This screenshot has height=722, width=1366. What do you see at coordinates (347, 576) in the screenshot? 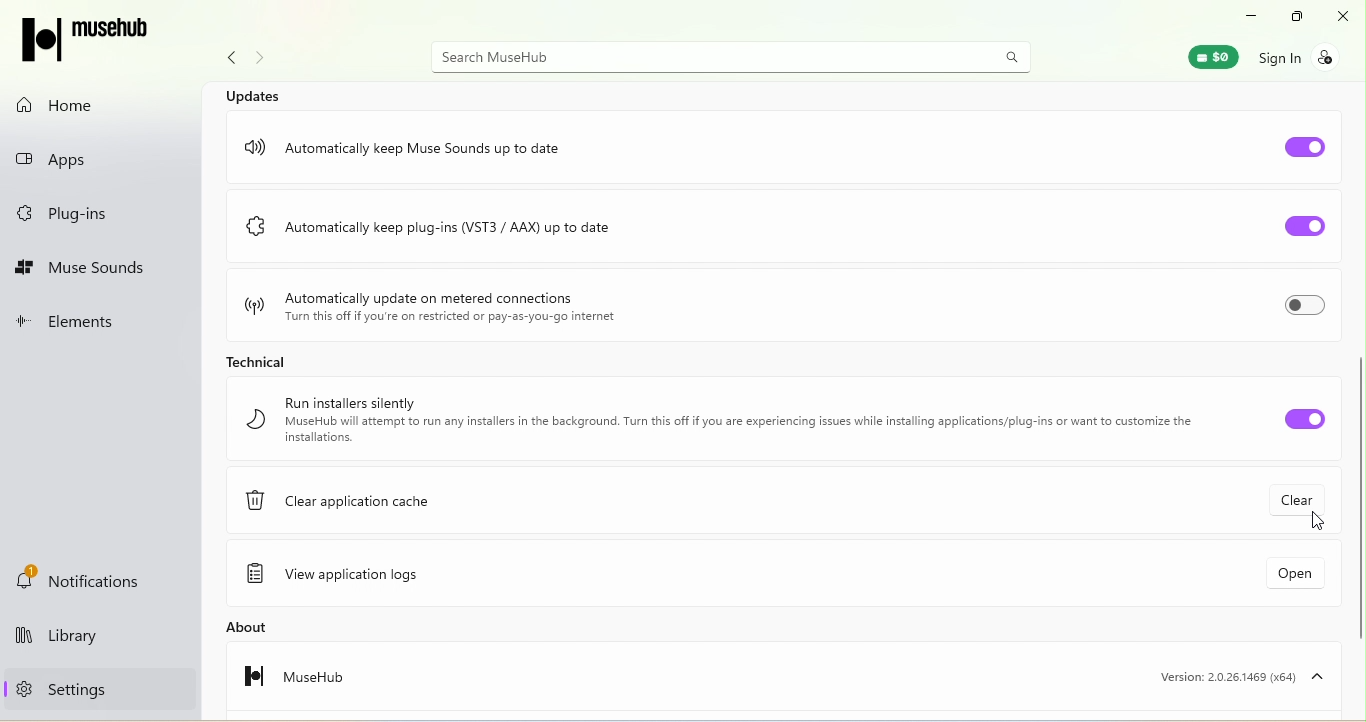
I see `View application logs` at bounding box center [347, 576].